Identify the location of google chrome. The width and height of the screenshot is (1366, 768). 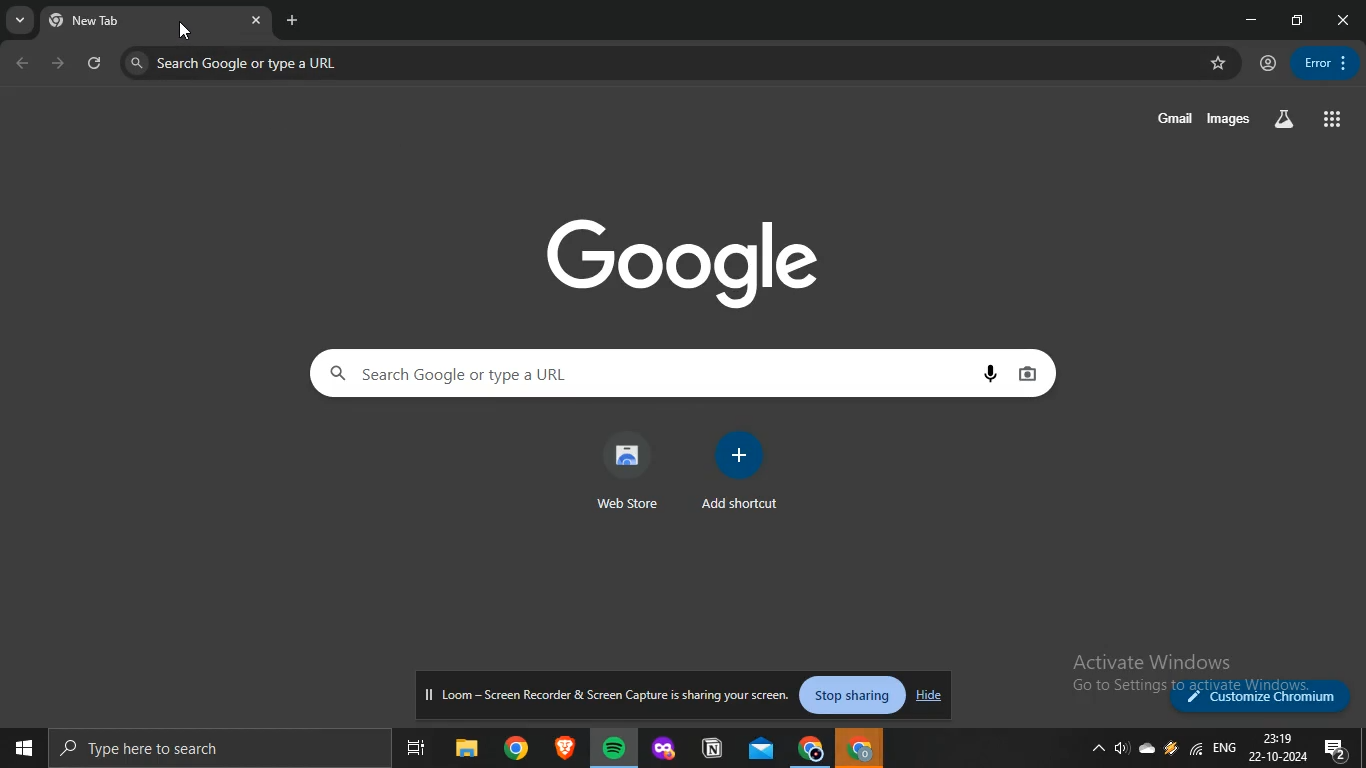
(862, 749).